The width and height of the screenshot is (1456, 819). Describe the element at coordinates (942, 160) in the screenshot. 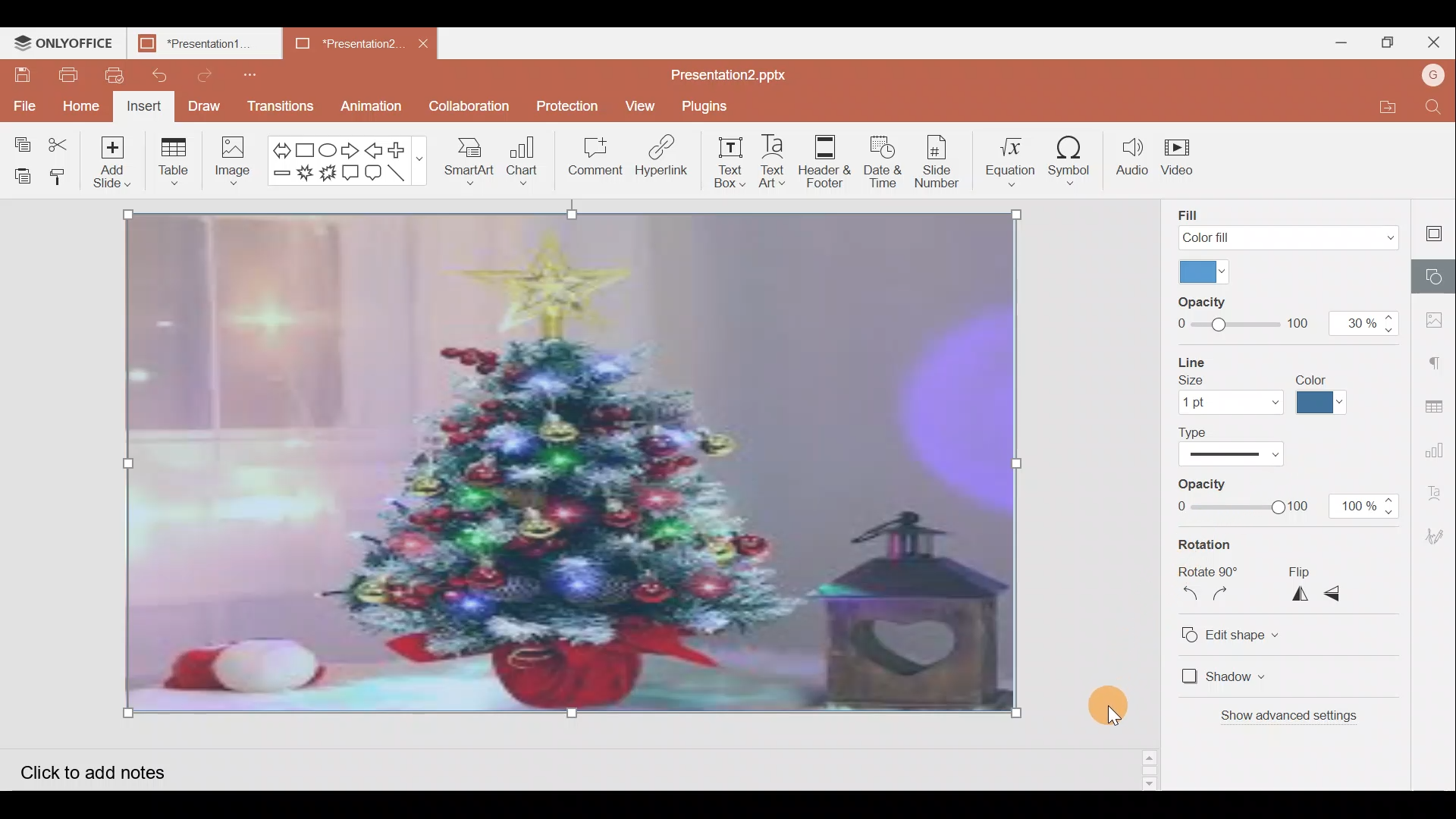

I see `Slide number` at that location.